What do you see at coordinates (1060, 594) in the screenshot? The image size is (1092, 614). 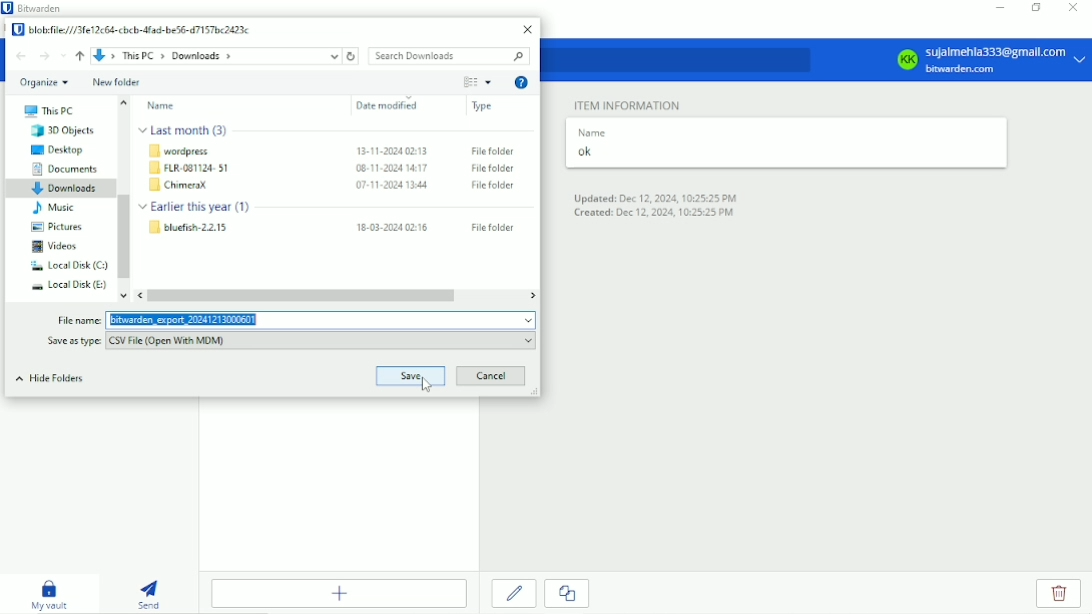 I see `Delete` at bounding box center [1060, 594].